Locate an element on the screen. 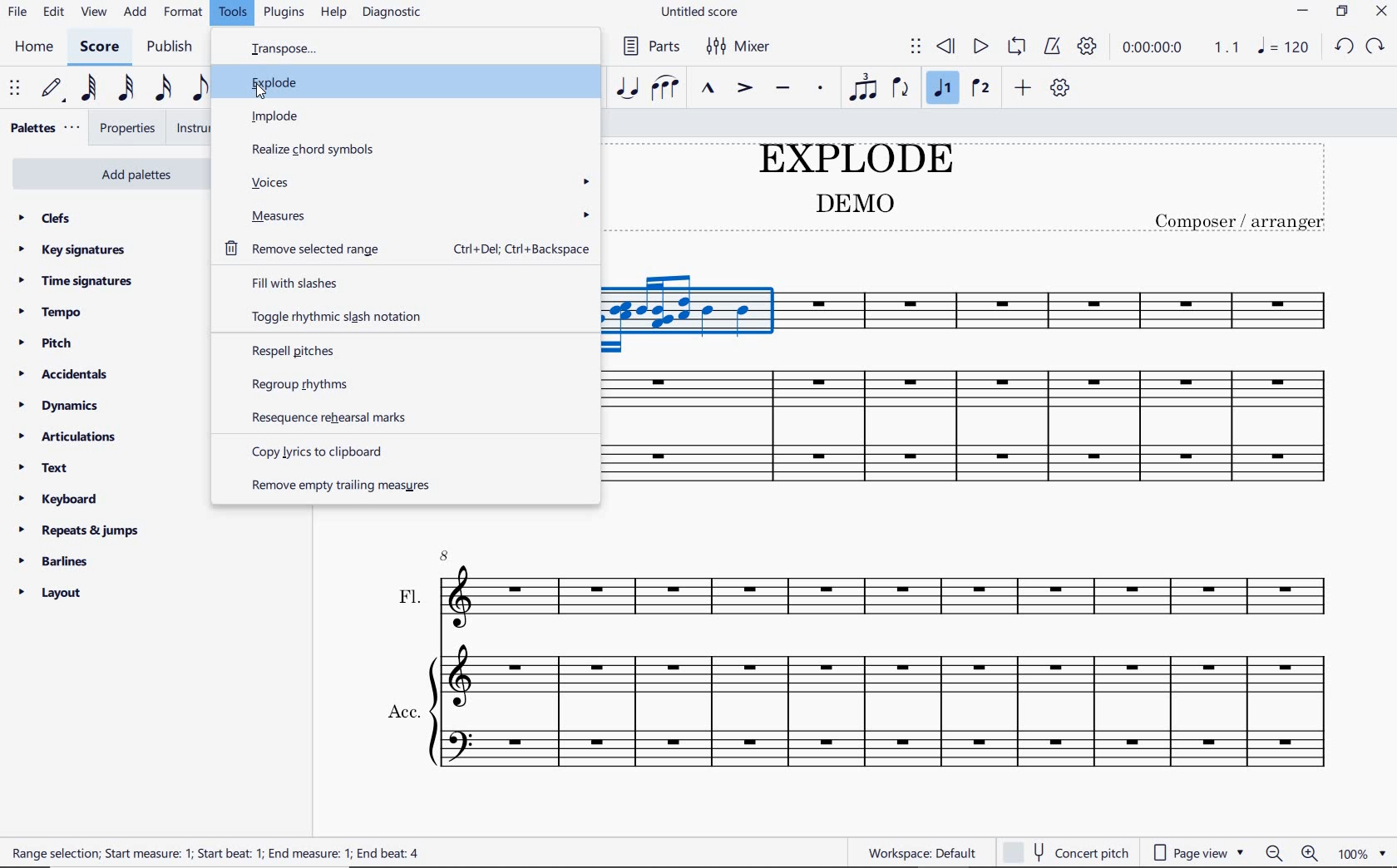 This screenshot has height=868, width=1397. transpose is located at coordinates (299, 51).